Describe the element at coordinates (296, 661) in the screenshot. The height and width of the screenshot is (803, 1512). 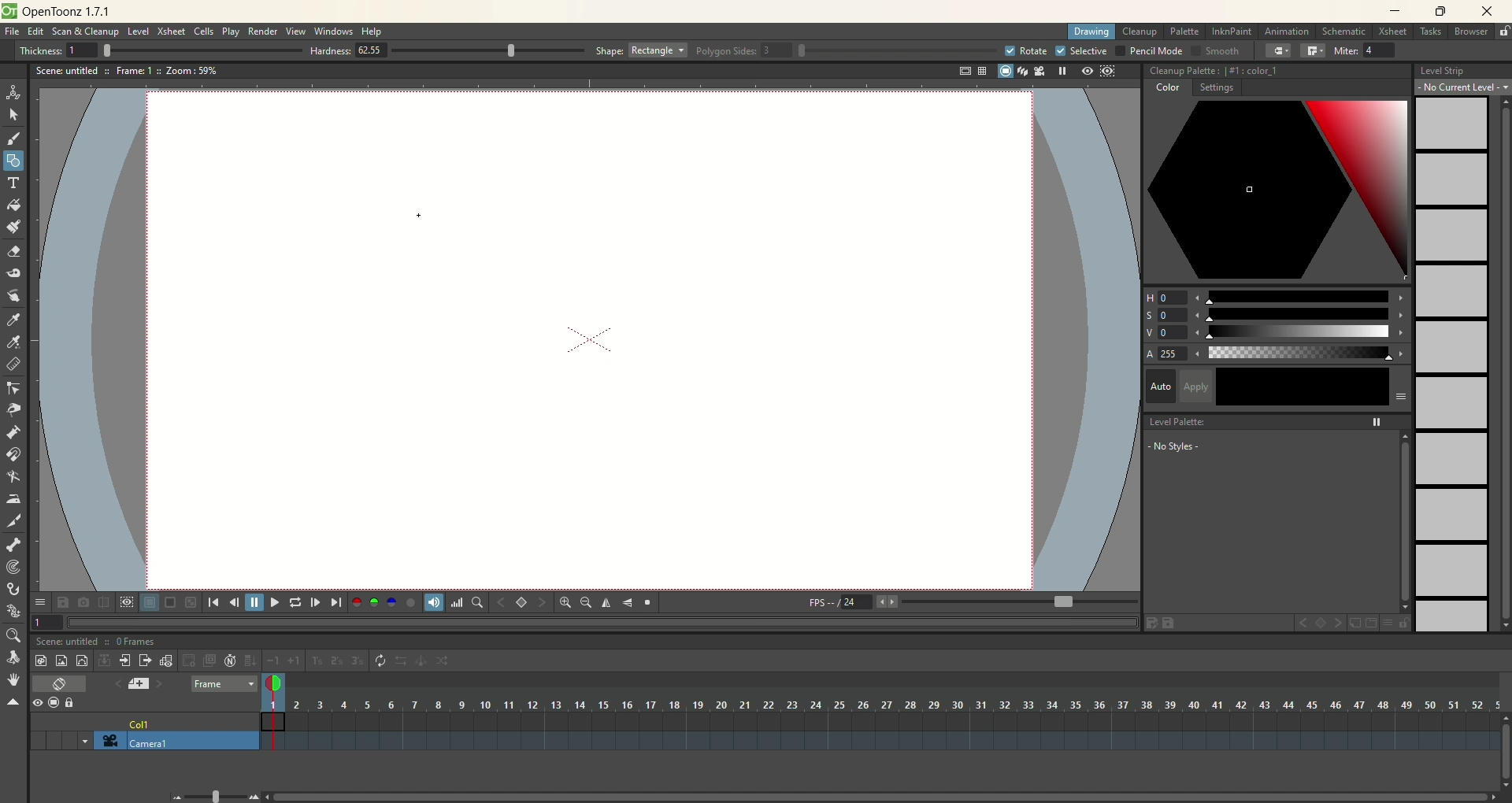
I see `increase steo` at that location.